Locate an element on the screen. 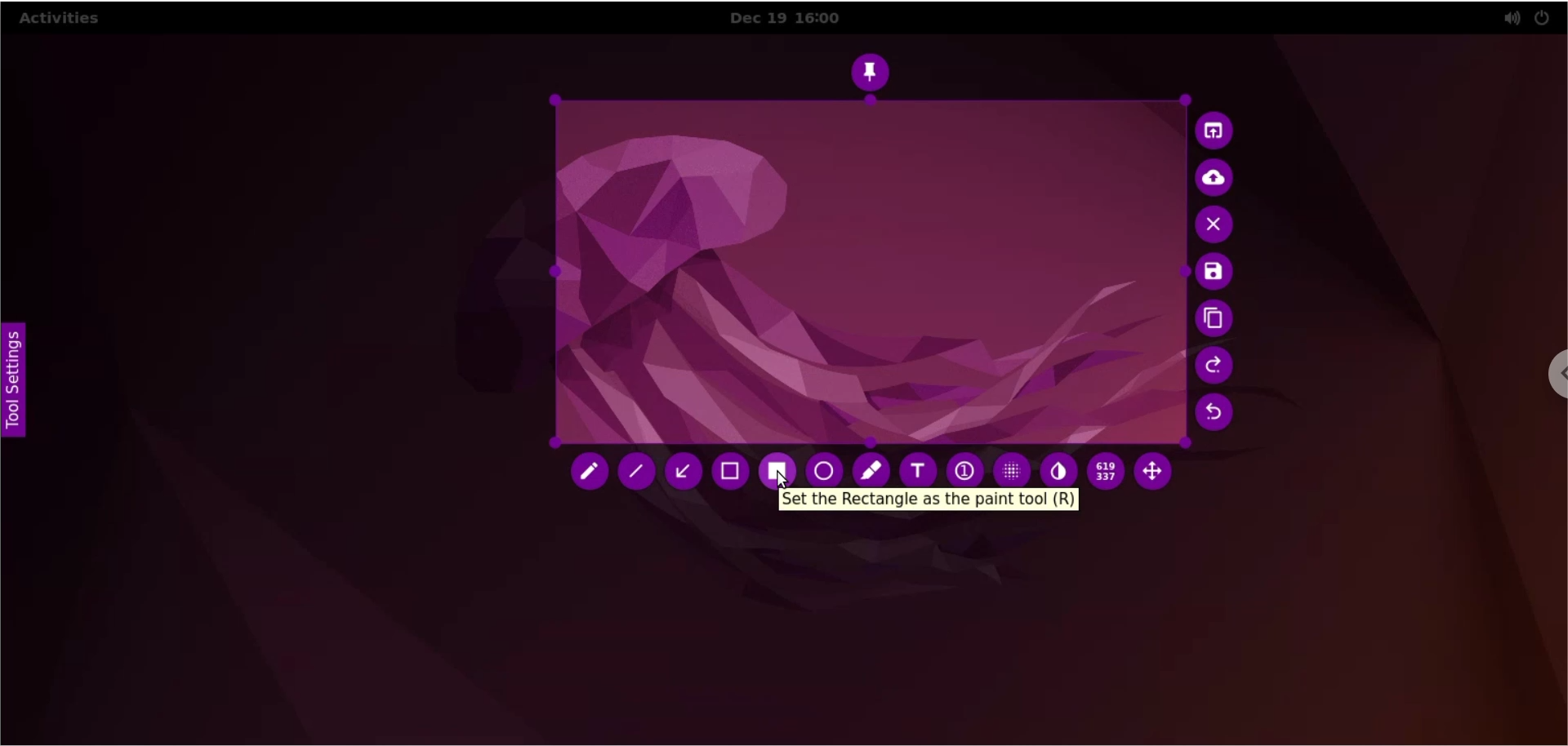 This screenshot has width=1568, height=746. save is located at coordinates (1209, 273).